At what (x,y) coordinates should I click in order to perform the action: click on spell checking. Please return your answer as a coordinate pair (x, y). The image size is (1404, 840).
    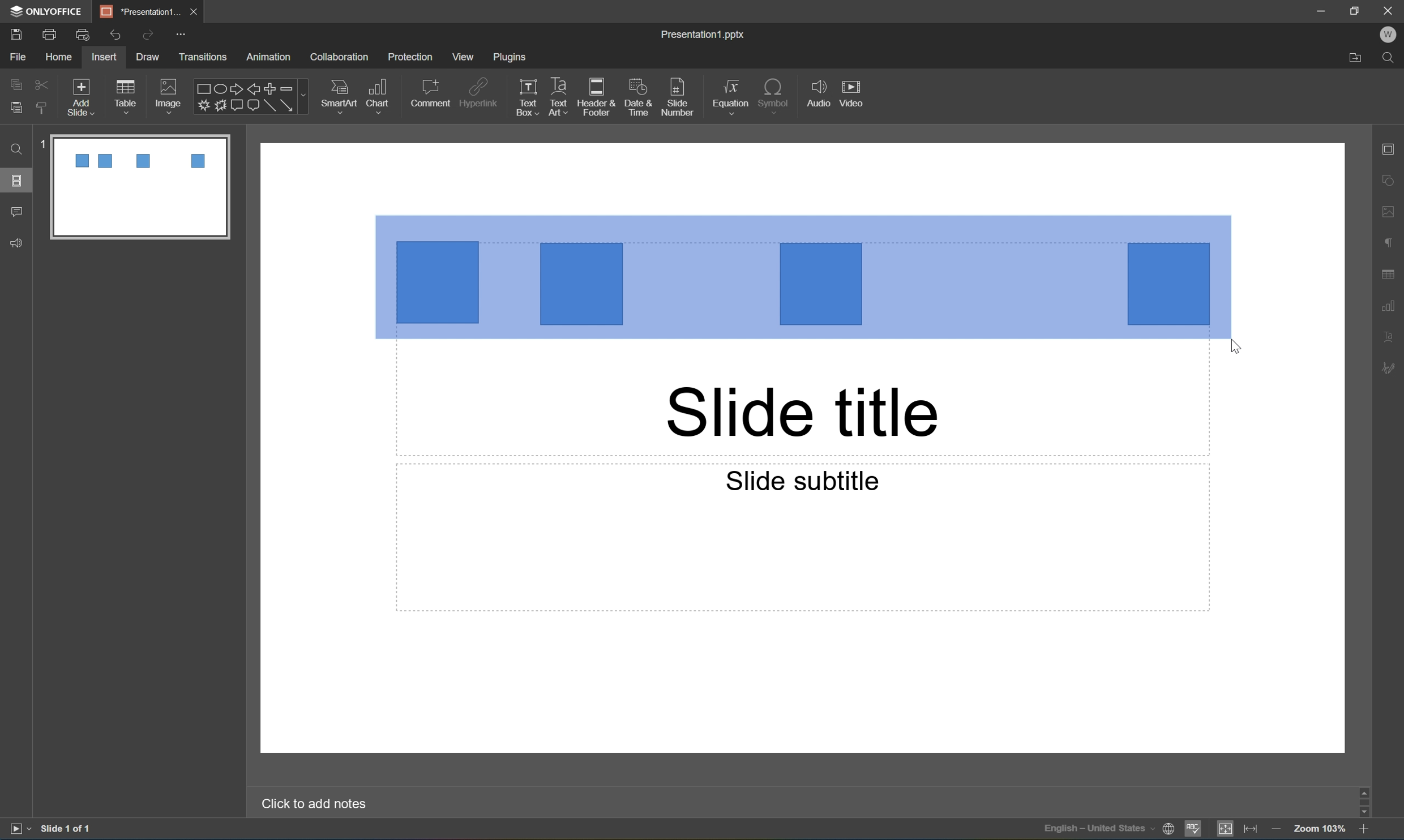
    Looking at the image, I should click on (1195, 830).